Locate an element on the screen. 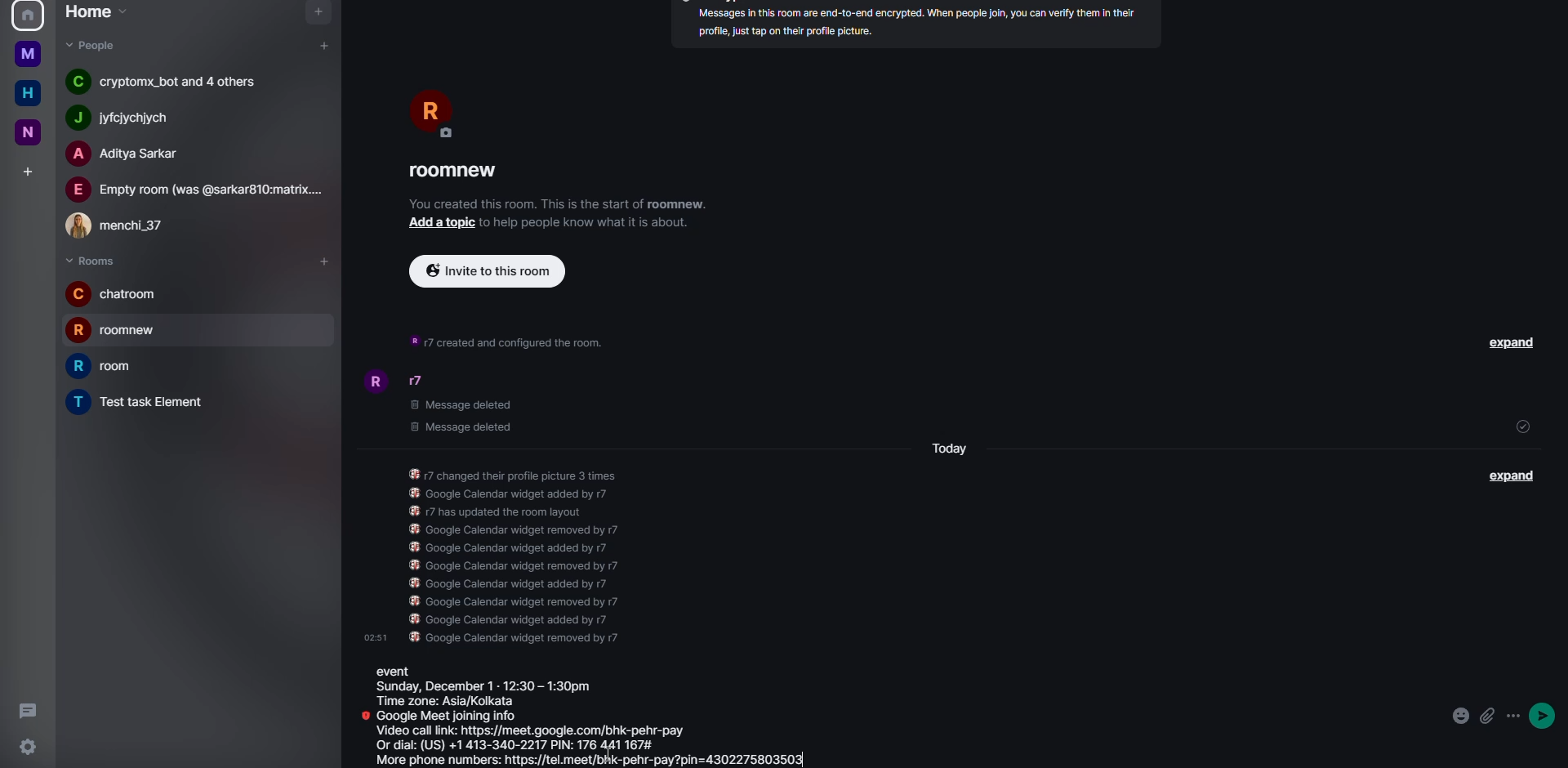 The height and width of the screenshot is (768, 1568). expand is located at coordinates (1509, 345).